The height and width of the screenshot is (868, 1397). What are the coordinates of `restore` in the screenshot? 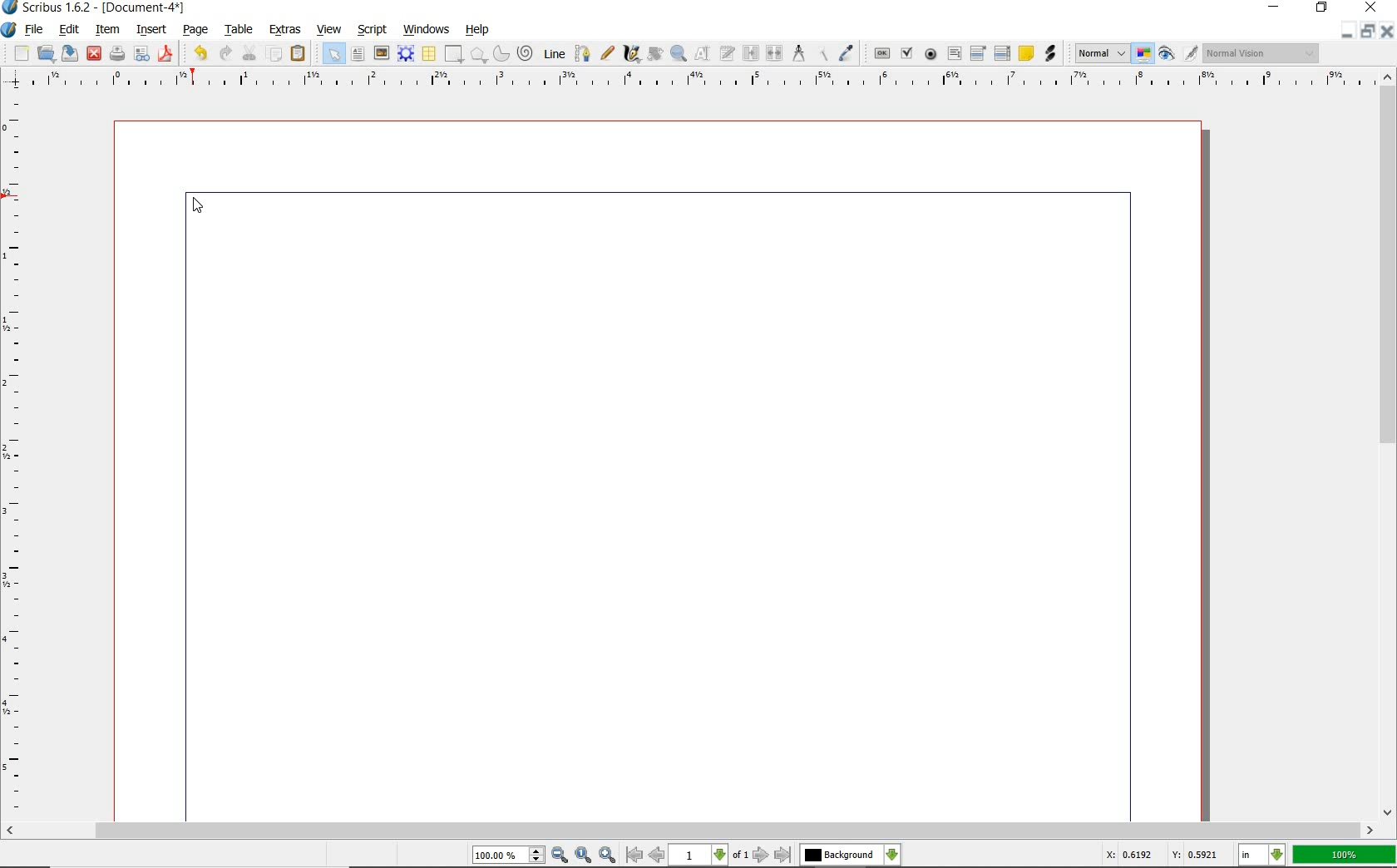 It's located at (1368, 32).